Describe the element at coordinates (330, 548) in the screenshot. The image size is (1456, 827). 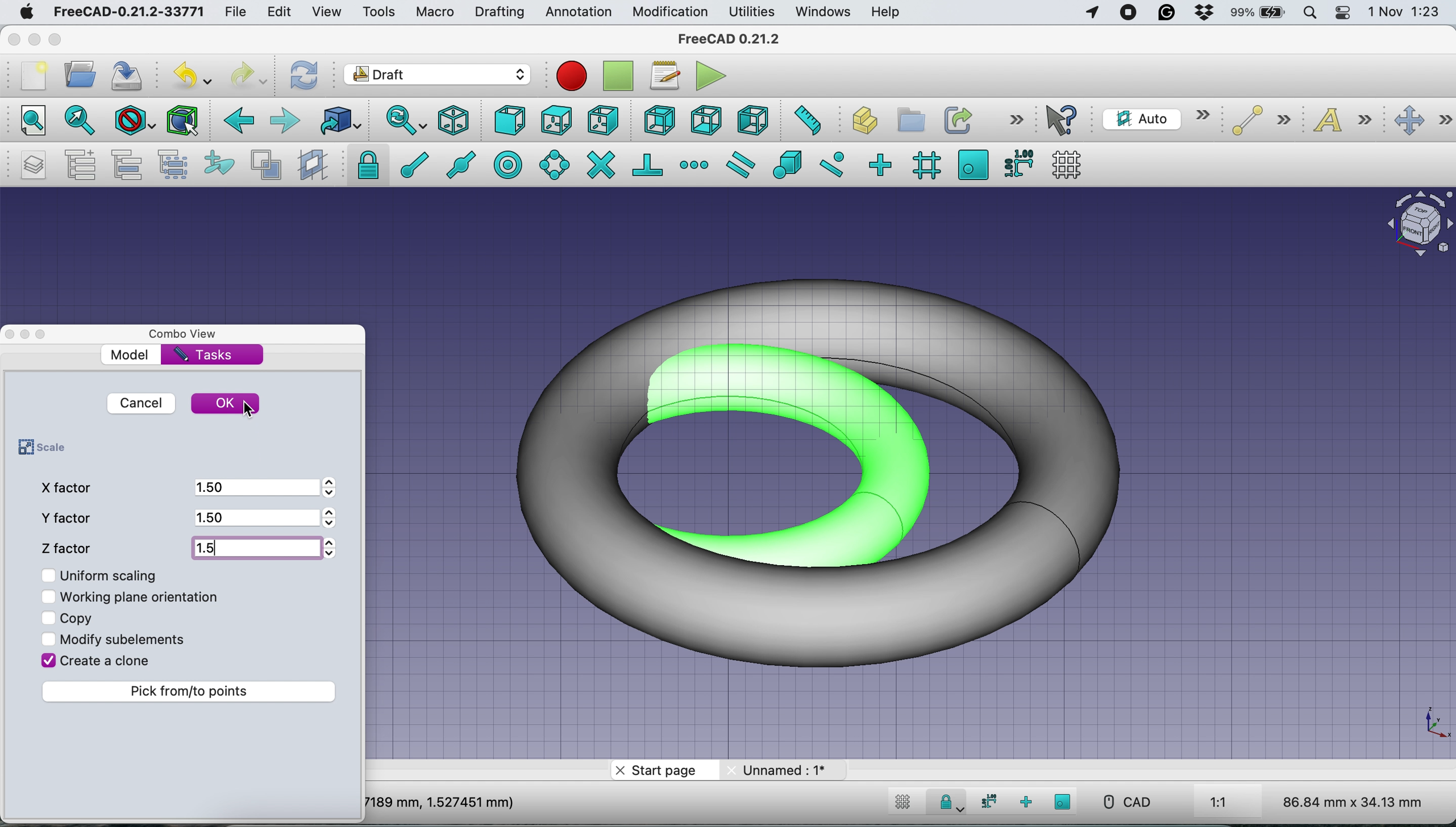
I see `Arrows` at that location.